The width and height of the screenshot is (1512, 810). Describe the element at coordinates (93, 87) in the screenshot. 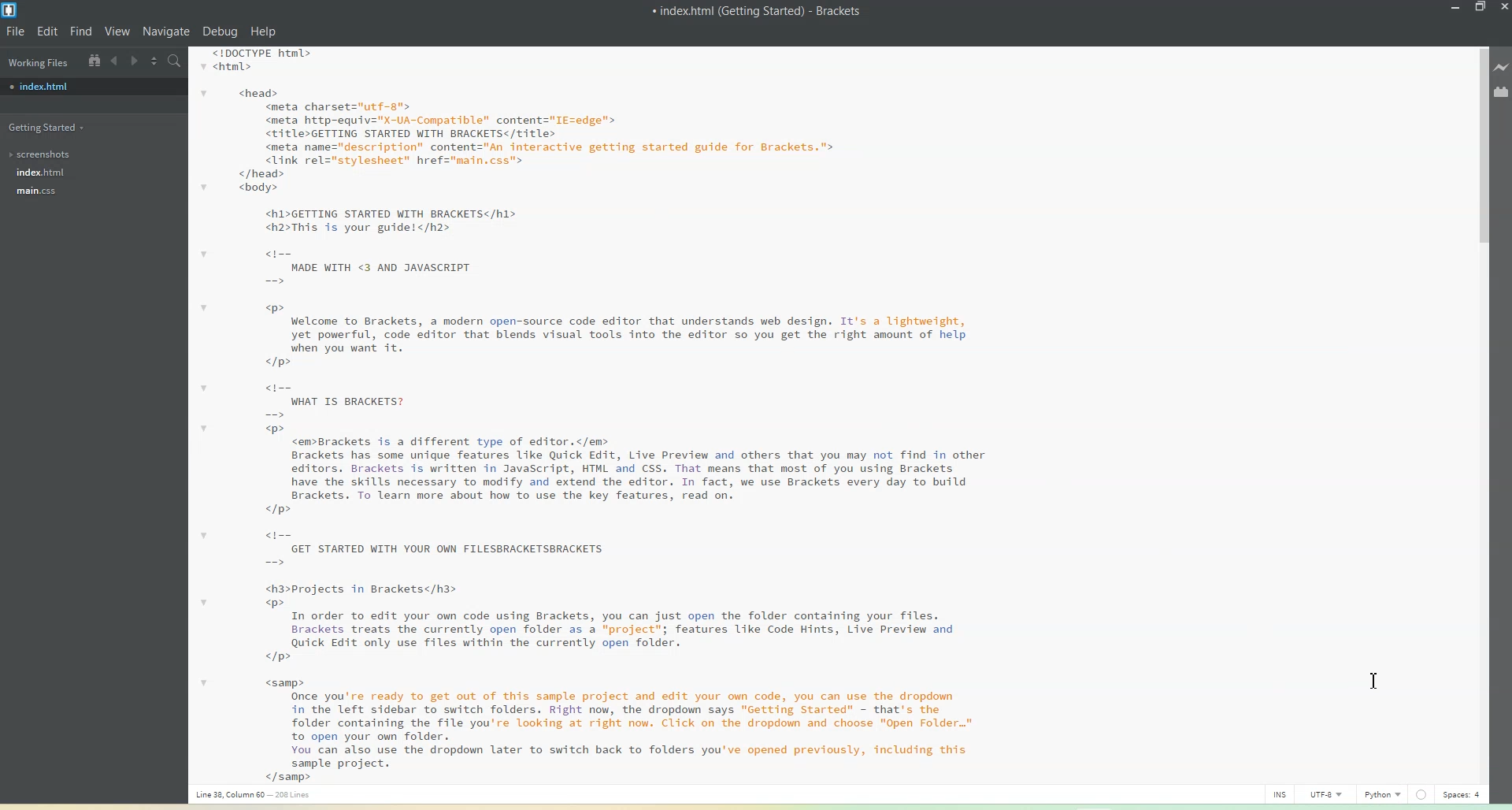

I see `Index.html` at that location.